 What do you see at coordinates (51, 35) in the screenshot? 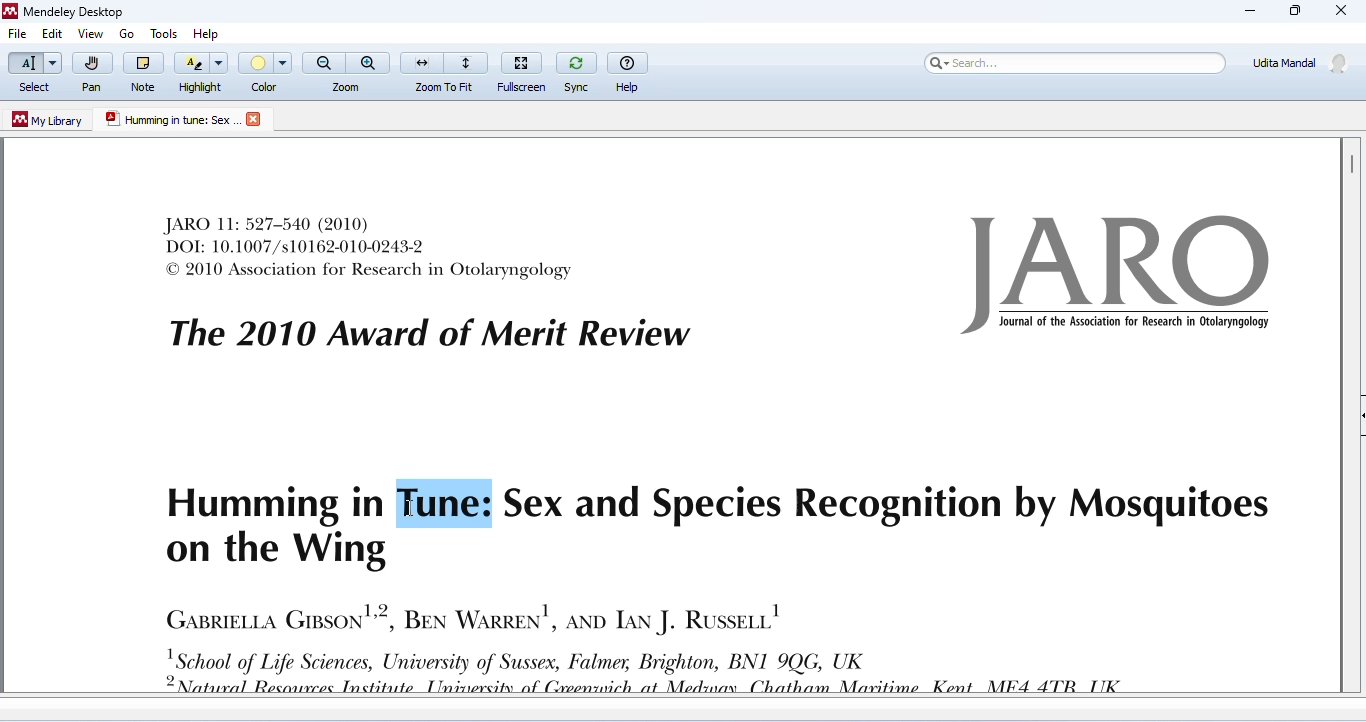
I see `edit` at bounding box center [51, 35].